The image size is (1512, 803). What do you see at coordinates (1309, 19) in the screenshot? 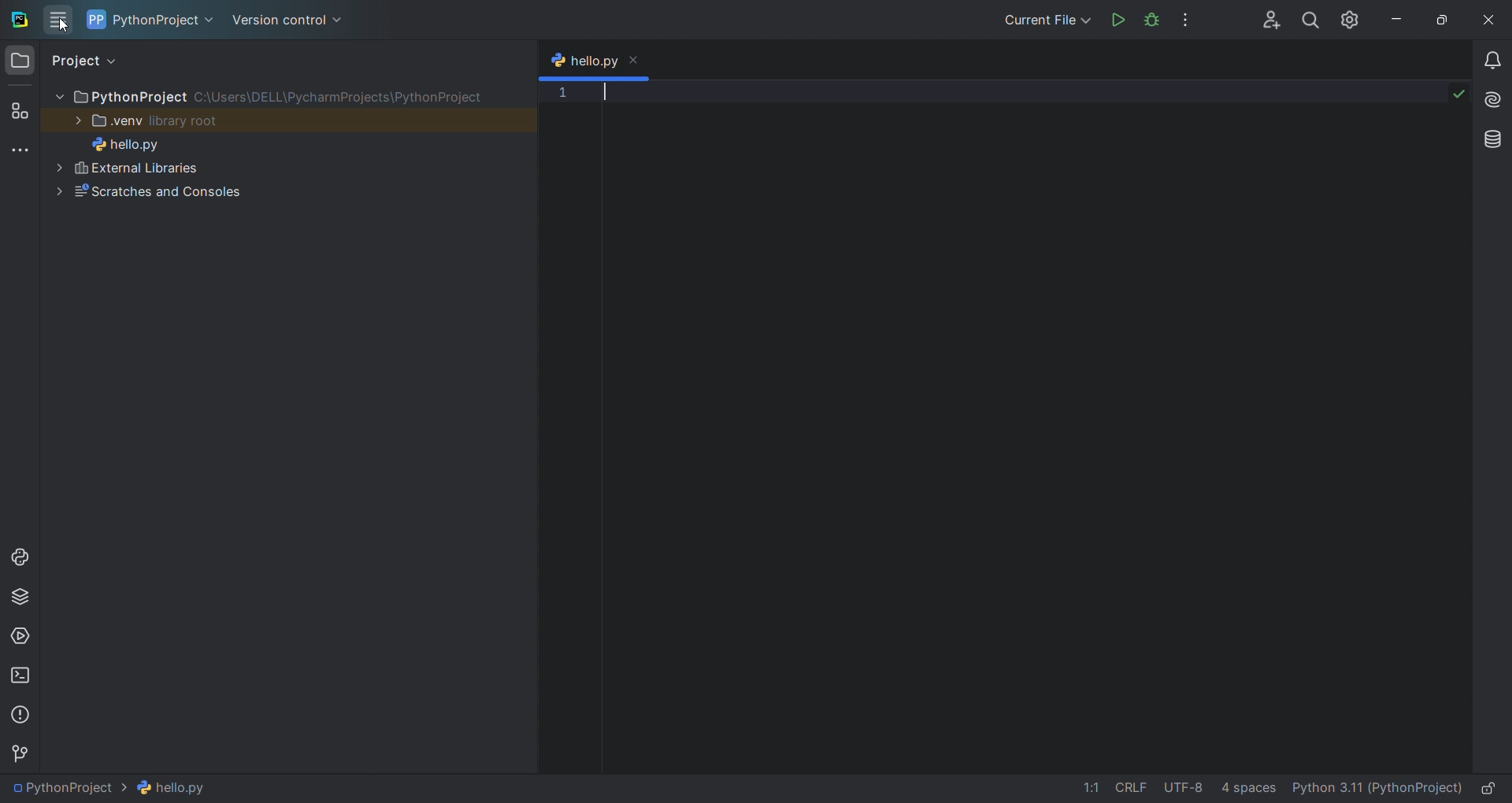
I see `search` at bounding box center [1309, 19].